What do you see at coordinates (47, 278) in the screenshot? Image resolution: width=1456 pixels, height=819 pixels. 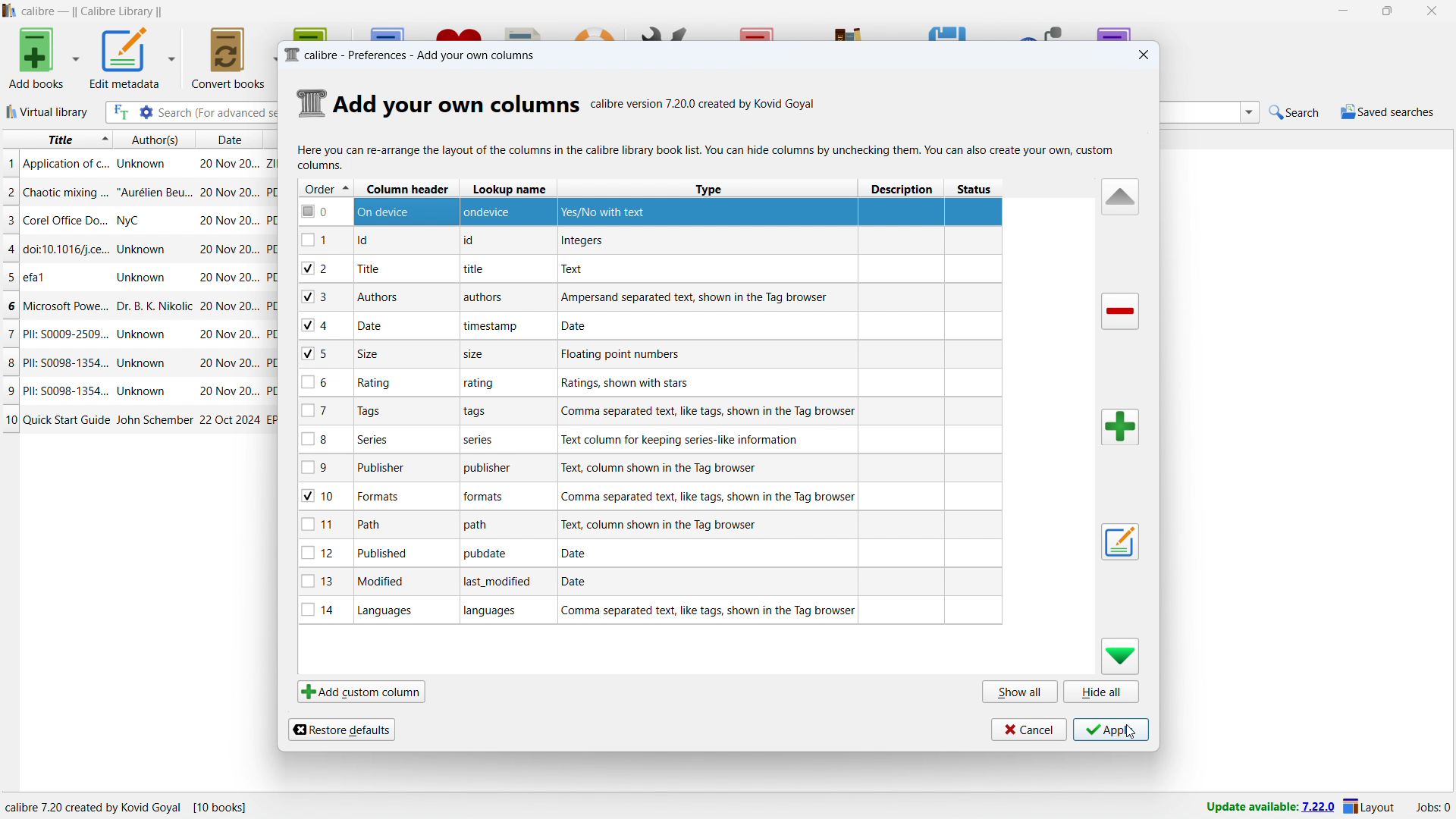 I see `title` at bounding box center [47, 278].